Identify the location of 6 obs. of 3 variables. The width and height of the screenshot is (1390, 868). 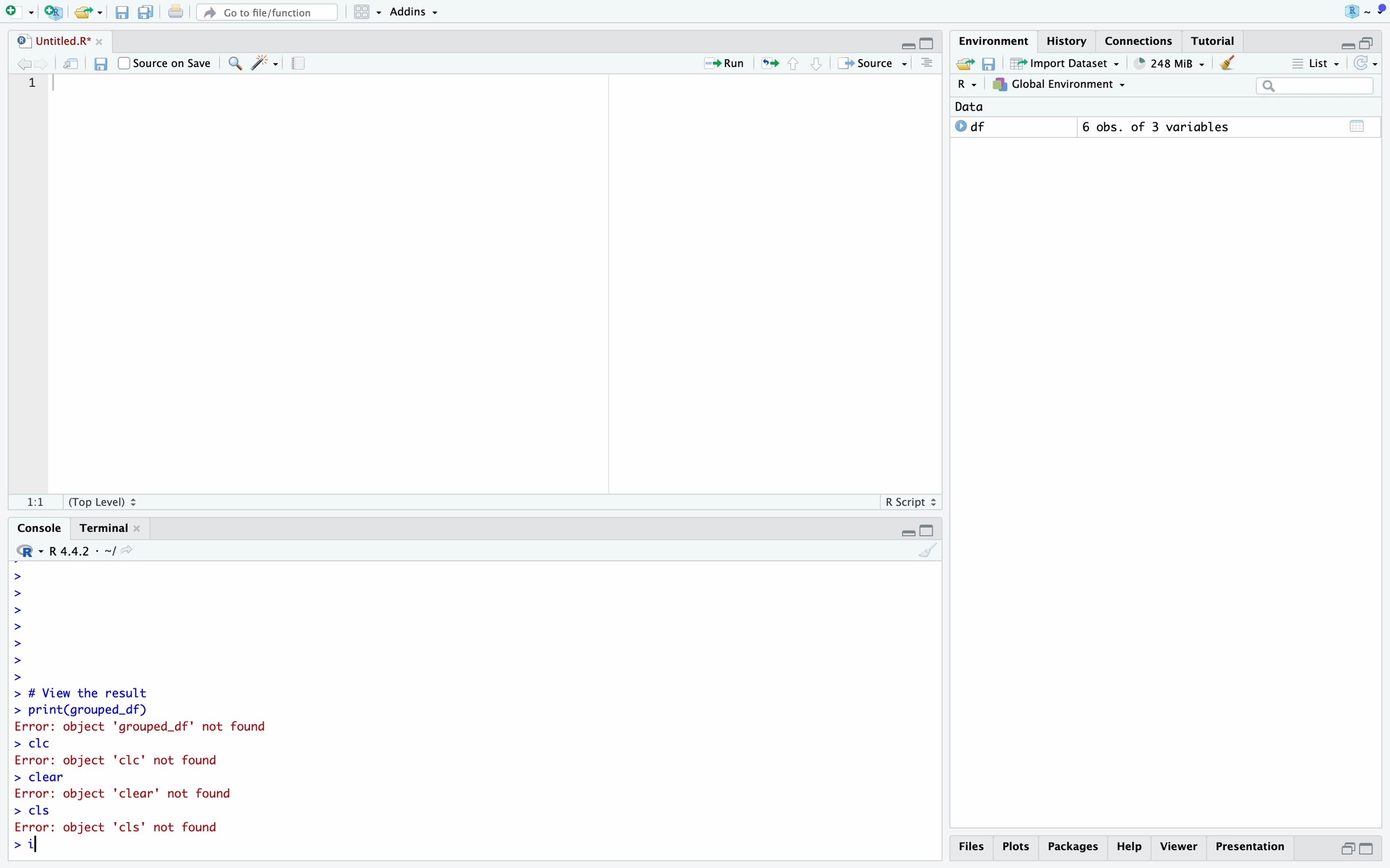
(1161, 126).